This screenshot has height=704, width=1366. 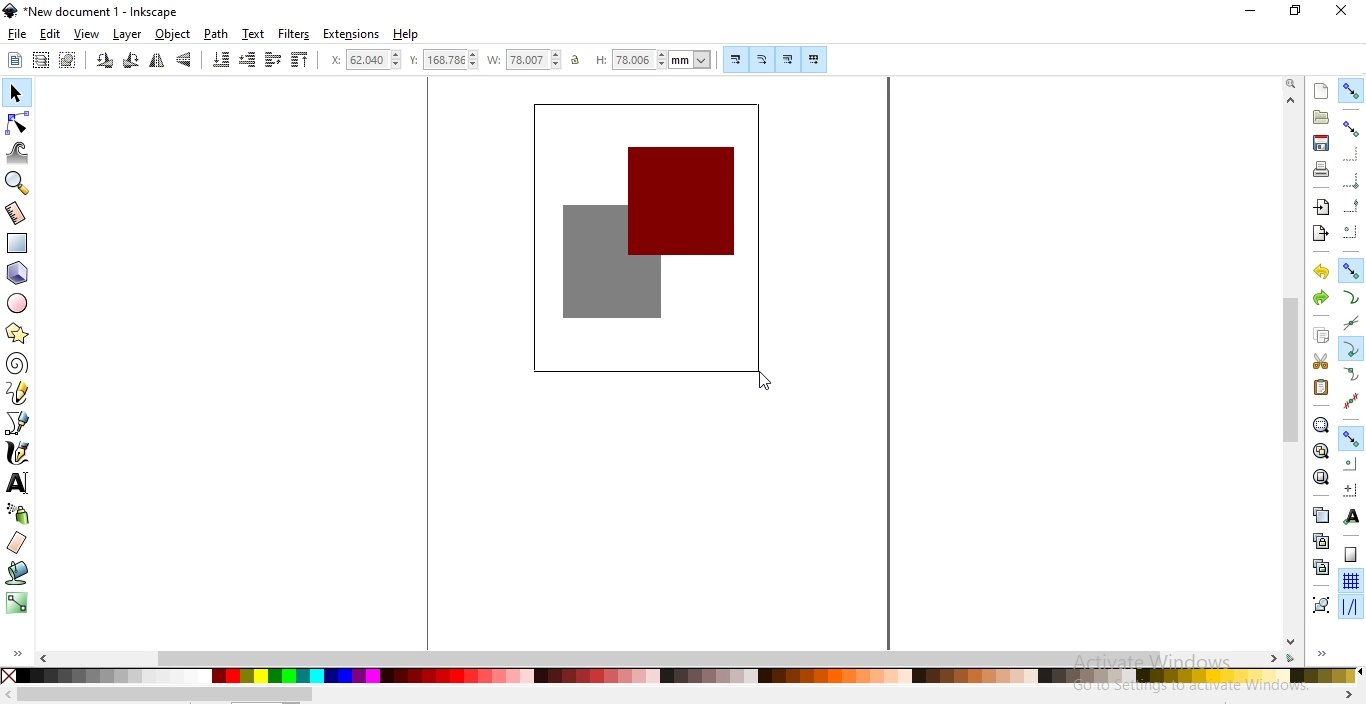 I want to click on snap to path intersection, so click(x=1349, y=324).